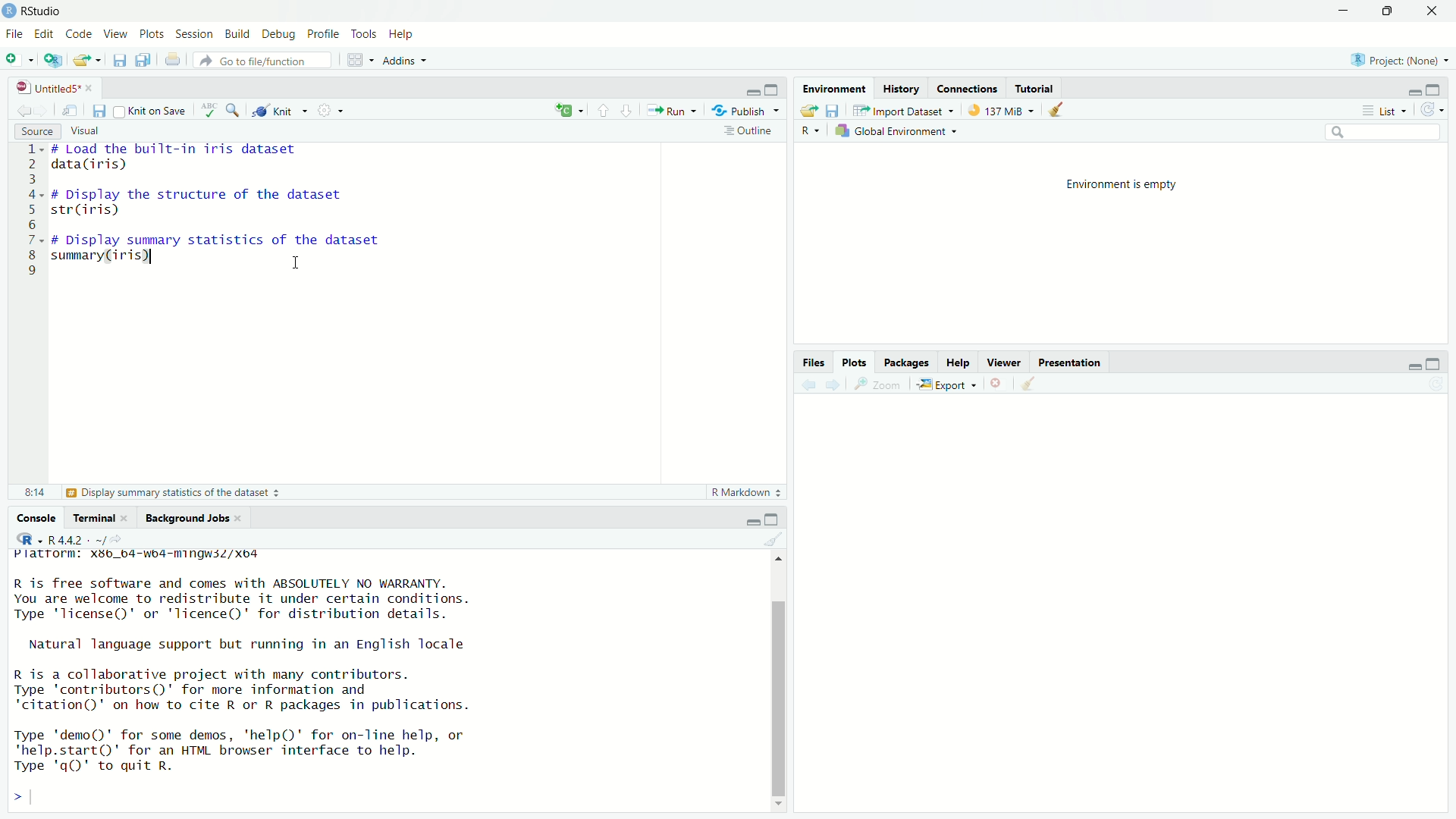  Describe the element at coordinates (383, 680) in the screenshot. I see `platrorm: x¥b_b4-wb4-mingwiZ/xo4R is free software and comes with ABSOLUTELY NO WARRANTY.You are welcome to redistribute it under certain conditions.Type 'license()' or 'licence()' for distribution details.Natural language support but running in an English localeR is a collaborative project with many contributors.Type 'contributors()' for more information and‘citation()' on how to cite R or R packages in publications.Type 'demo()' for some demos, 'help()' for on-line help, or'help.start()"' for an HTML browser interface to help.Type 'qQ)' to quit R` at that location.